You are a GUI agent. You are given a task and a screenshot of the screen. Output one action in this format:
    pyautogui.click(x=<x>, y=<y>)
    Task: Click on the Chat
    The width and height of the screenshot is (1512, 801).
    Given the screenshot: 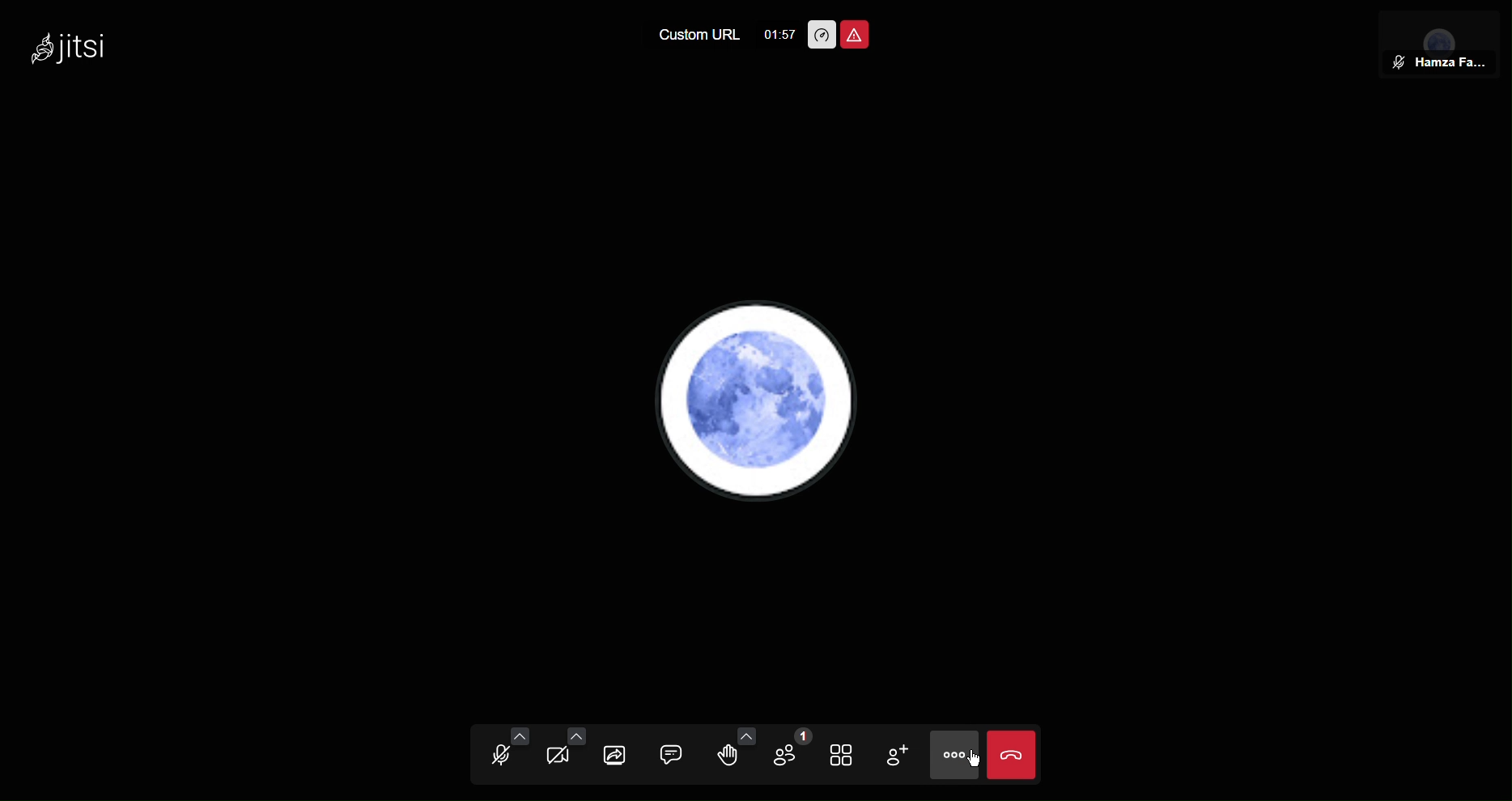 What is the action you would take?
    pyautogui.click(x=676, y=758)
    